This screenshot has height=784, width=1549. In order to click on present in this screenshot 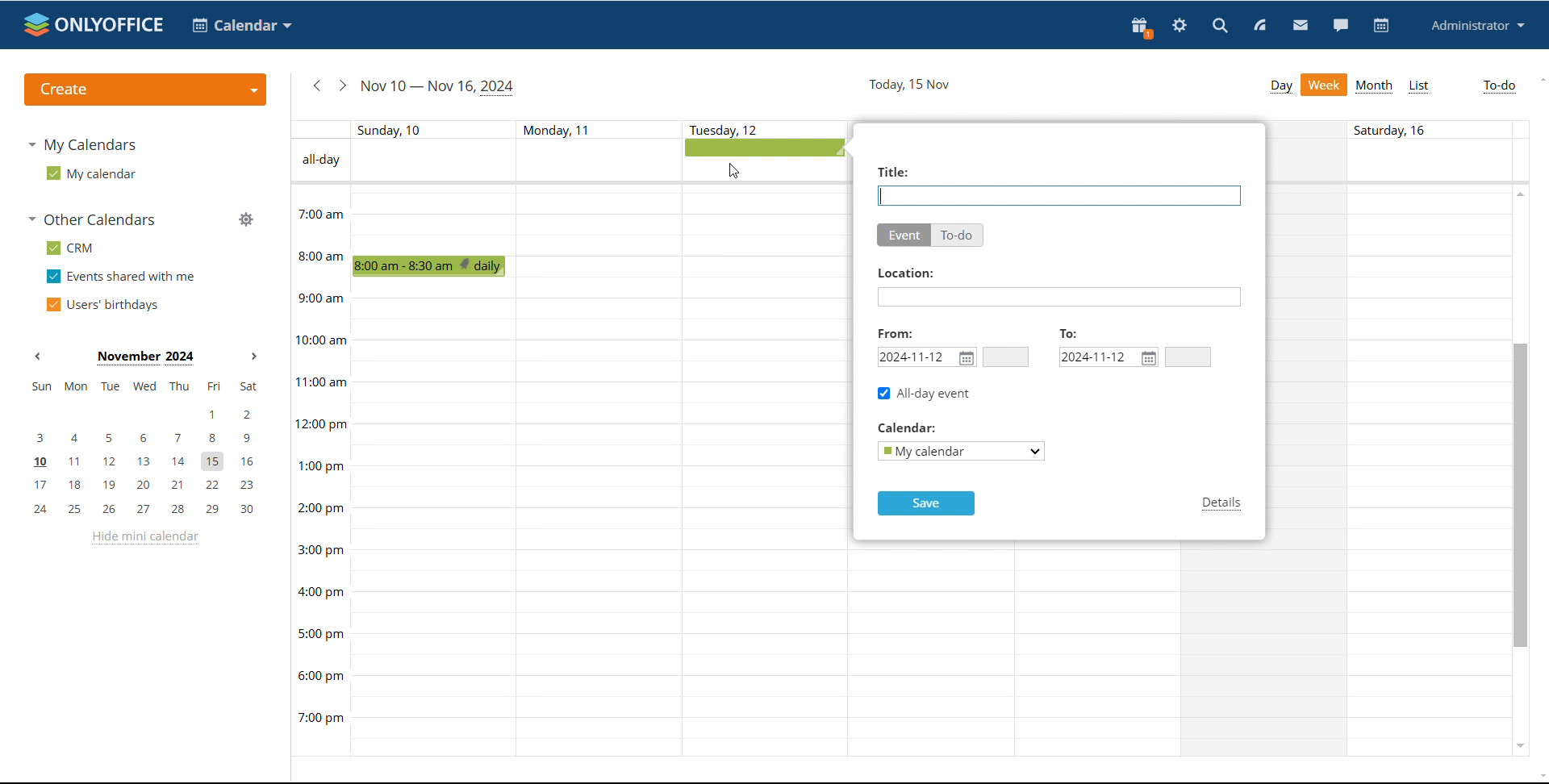, I will do `click(1142, 28)`.